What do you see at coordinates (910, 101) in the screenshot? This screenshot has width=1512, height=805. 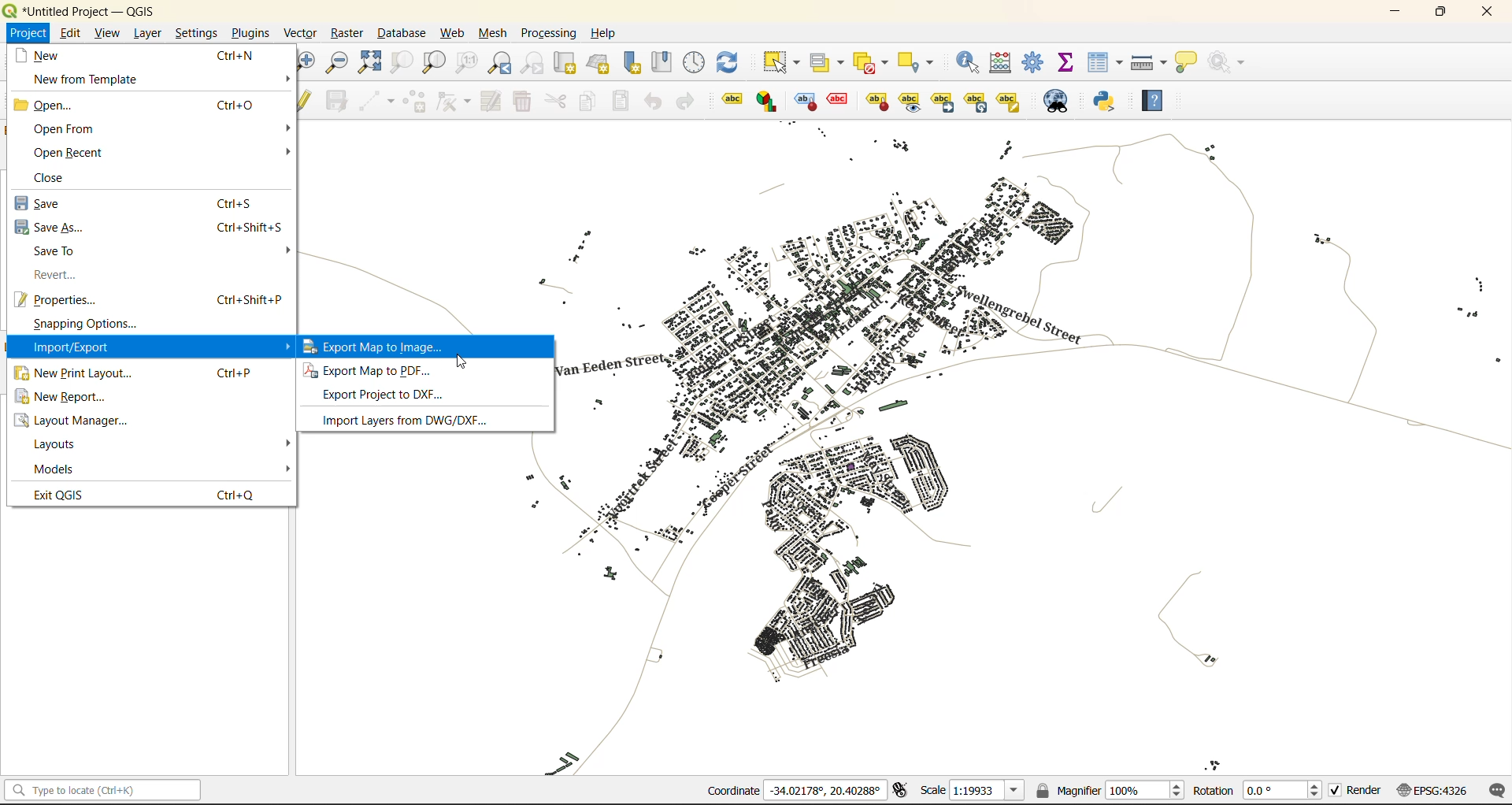 I see `Move a label, diagrams or callout ` at bounding box center [910, 101].